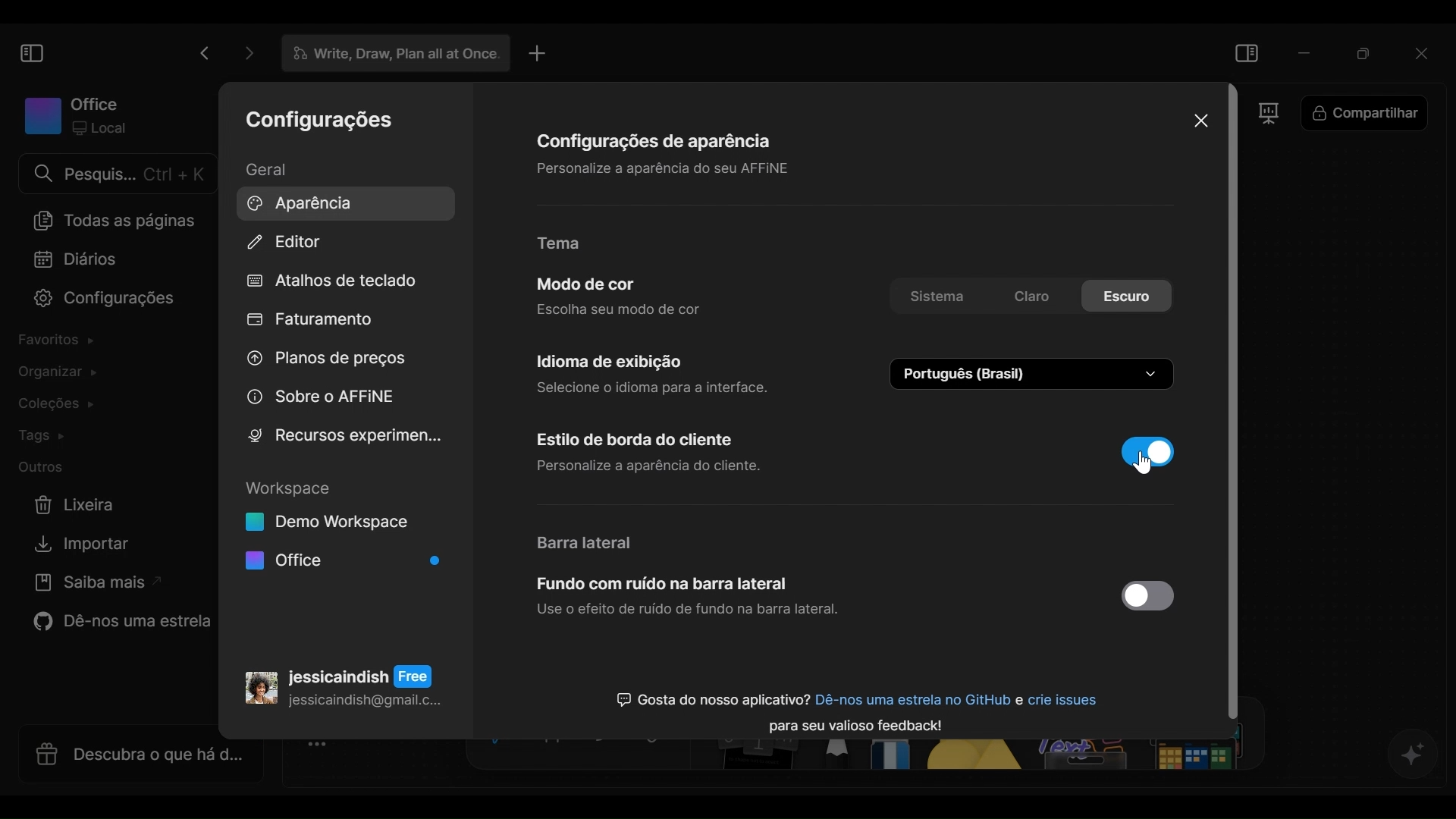  What do you see at coordinates (77, 260) in the screenshot?
I see `Journal` at bounding box center [77, 260].